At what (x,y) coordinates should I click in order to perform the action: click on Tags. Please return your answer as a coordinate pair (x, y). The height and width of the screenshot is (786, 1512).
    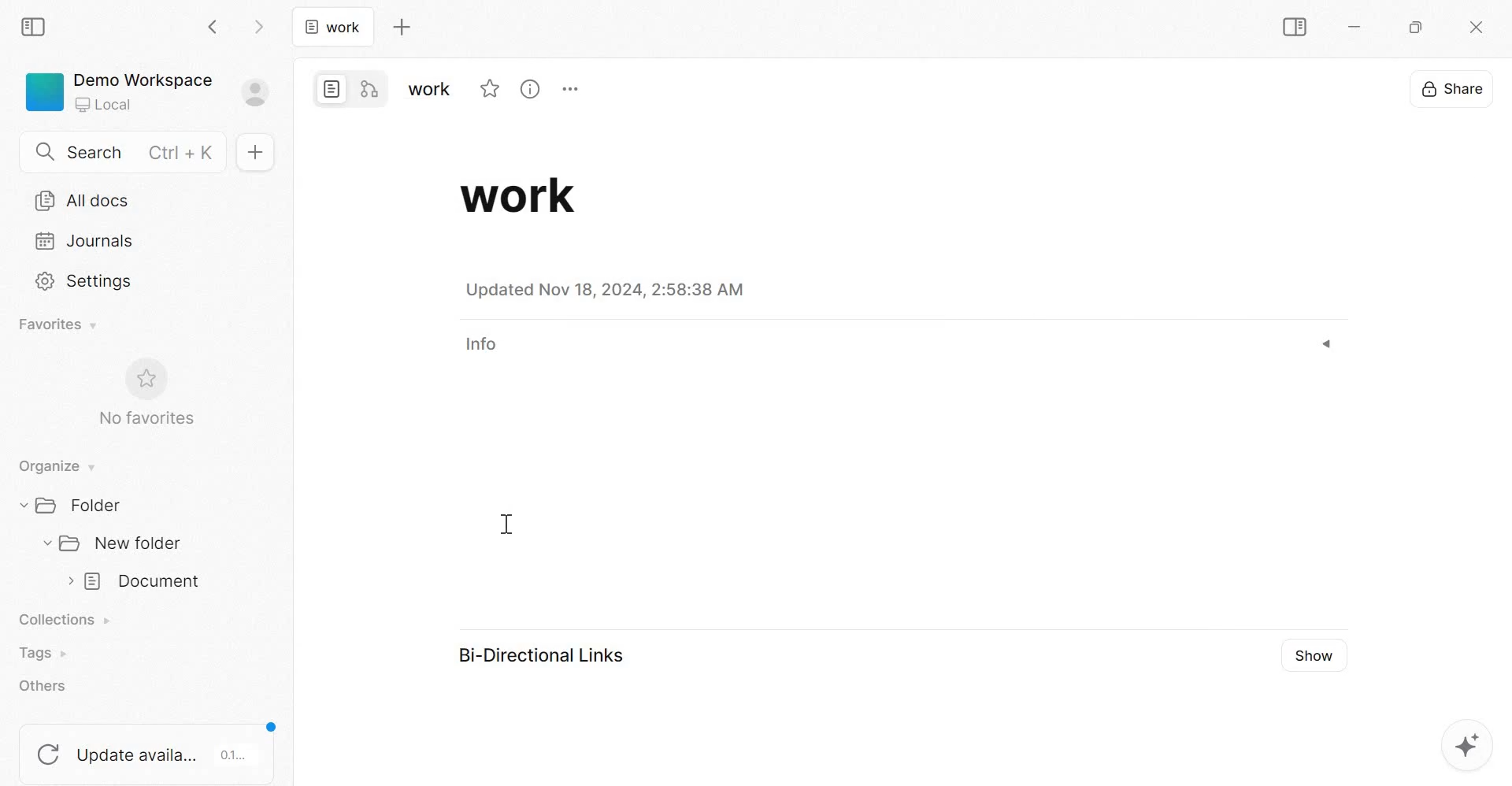
    Looking at the image, I should click on (41, 653).